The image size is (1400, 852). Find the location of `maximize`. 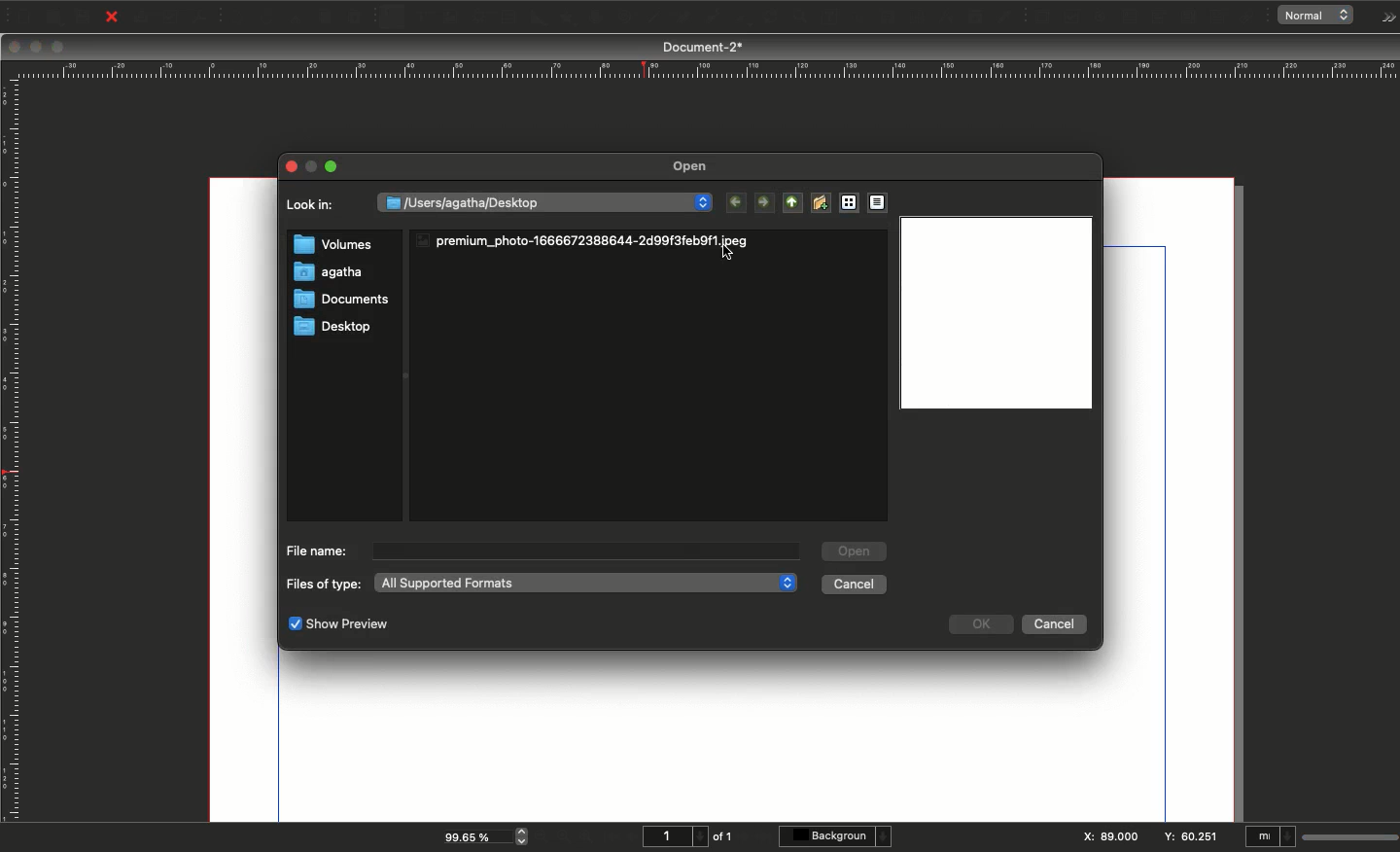

maximize is located at coordinates (316, 166).